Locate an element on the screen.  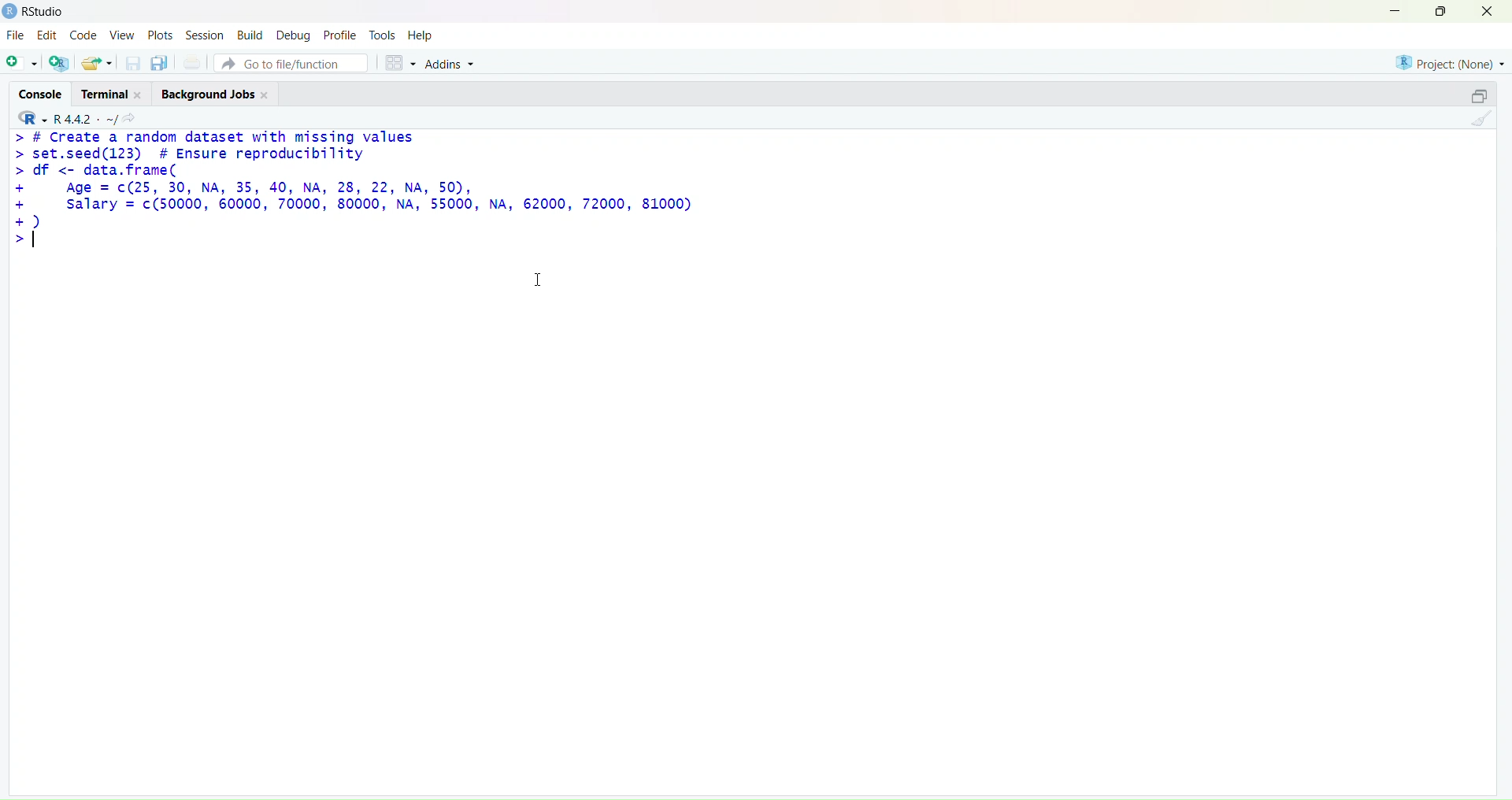
edit is located at coordinates (48, 35).